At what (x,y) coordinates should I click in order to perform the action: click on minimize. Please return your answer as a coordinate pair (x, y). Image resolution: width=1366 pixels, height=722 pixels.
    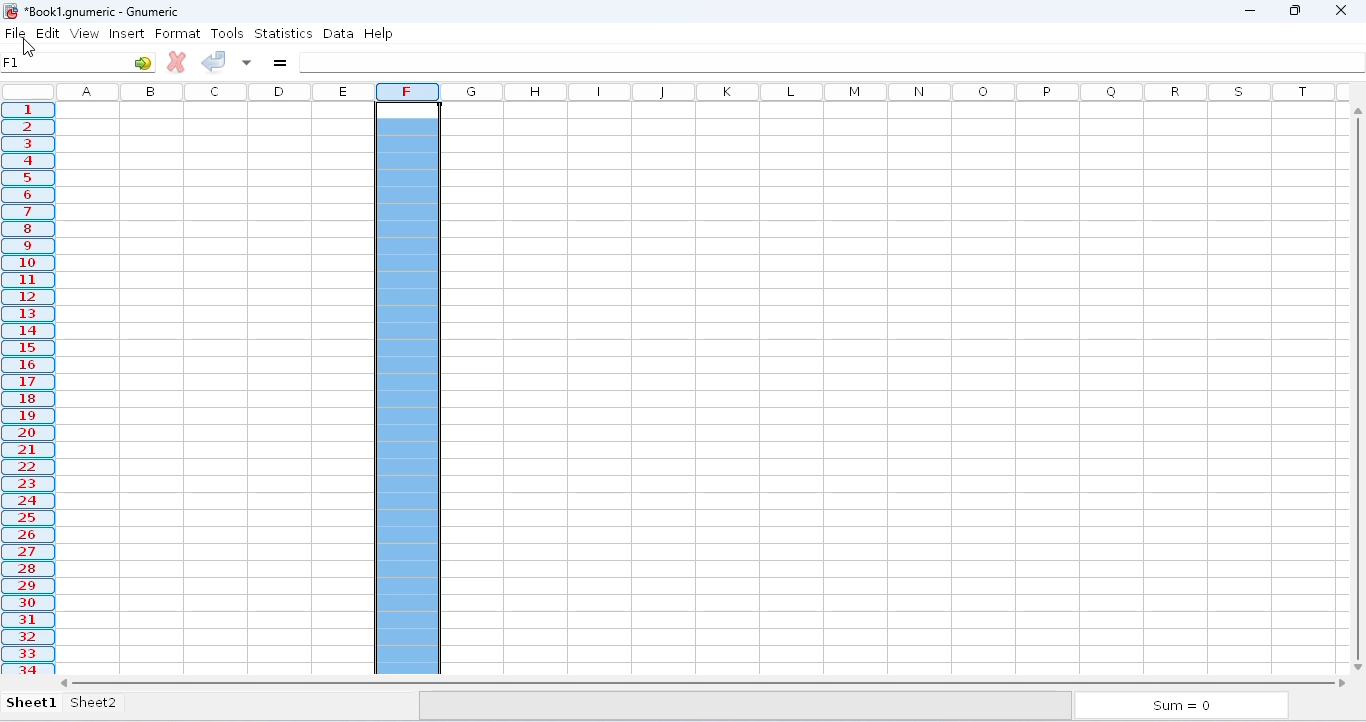
    Looking at the image, I should click on (1249, 10).